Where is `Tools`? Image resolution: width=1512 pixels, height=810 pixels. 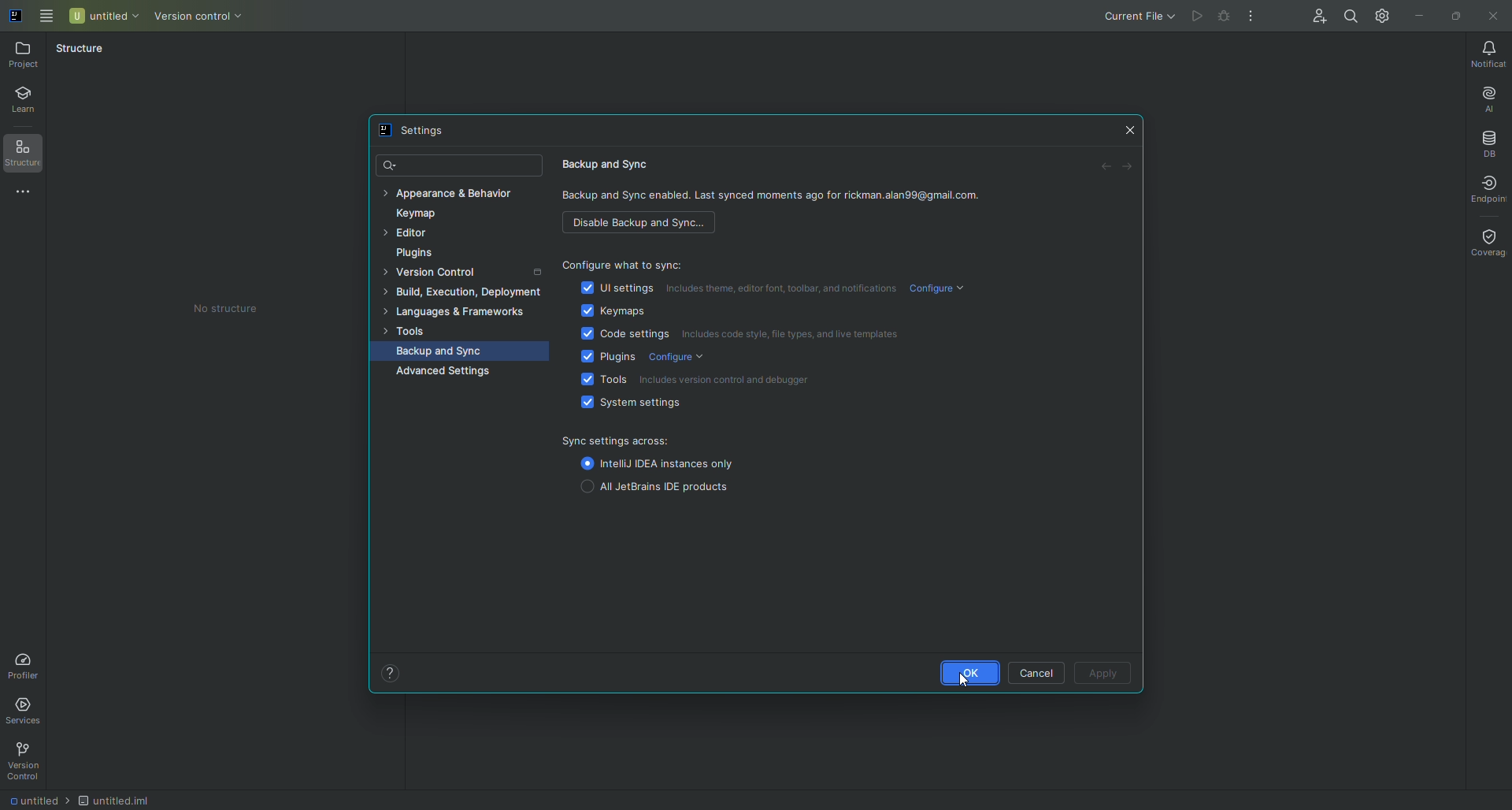 Tools is located at coordinates (412, 331).